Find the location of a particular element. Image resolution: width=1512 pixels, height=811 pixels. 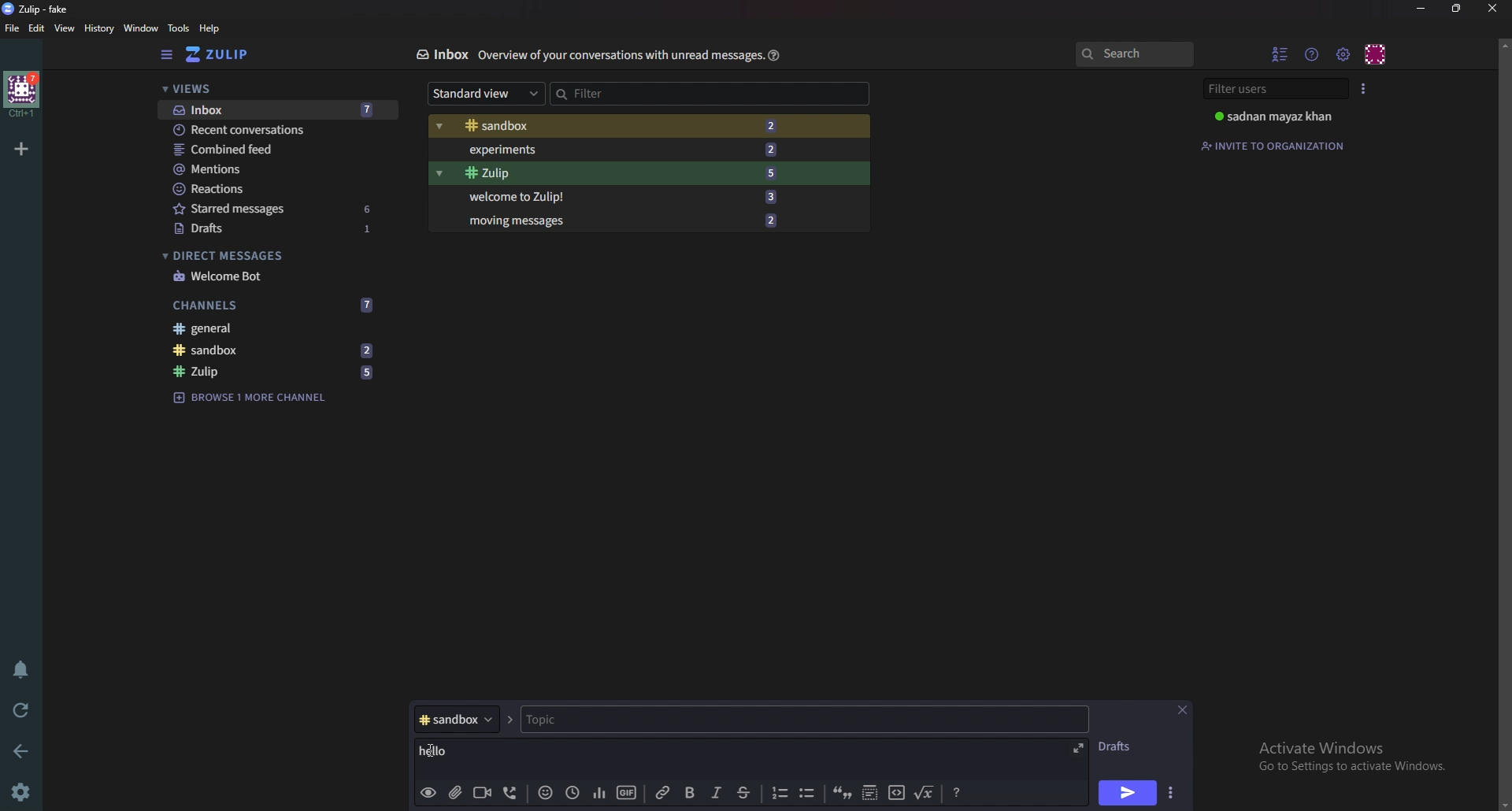

Experiments is located at coordinates (553, 150).